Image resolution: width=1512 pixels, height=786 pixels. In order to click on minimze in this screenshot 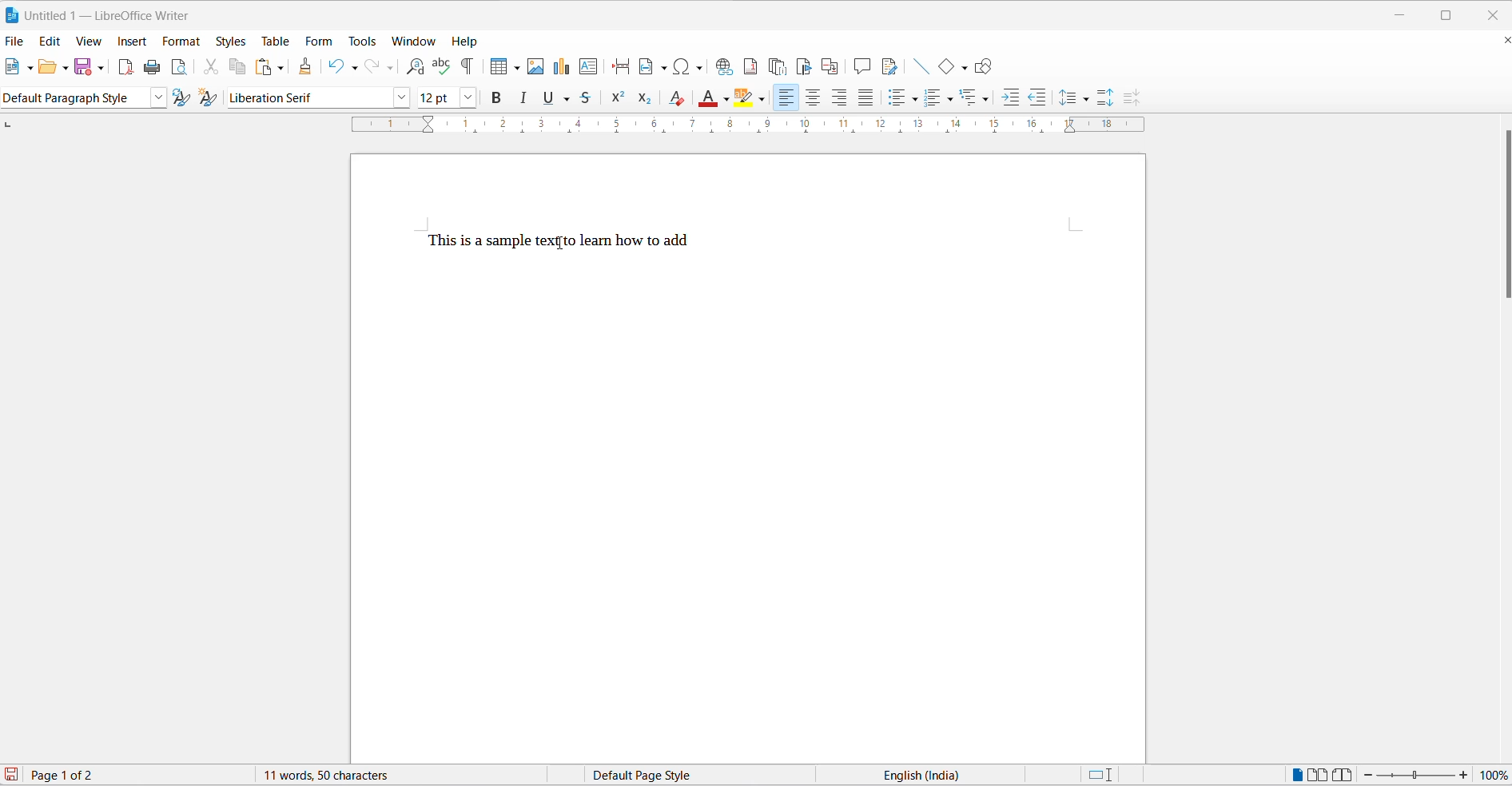, I will do `click(1403, 12)`.